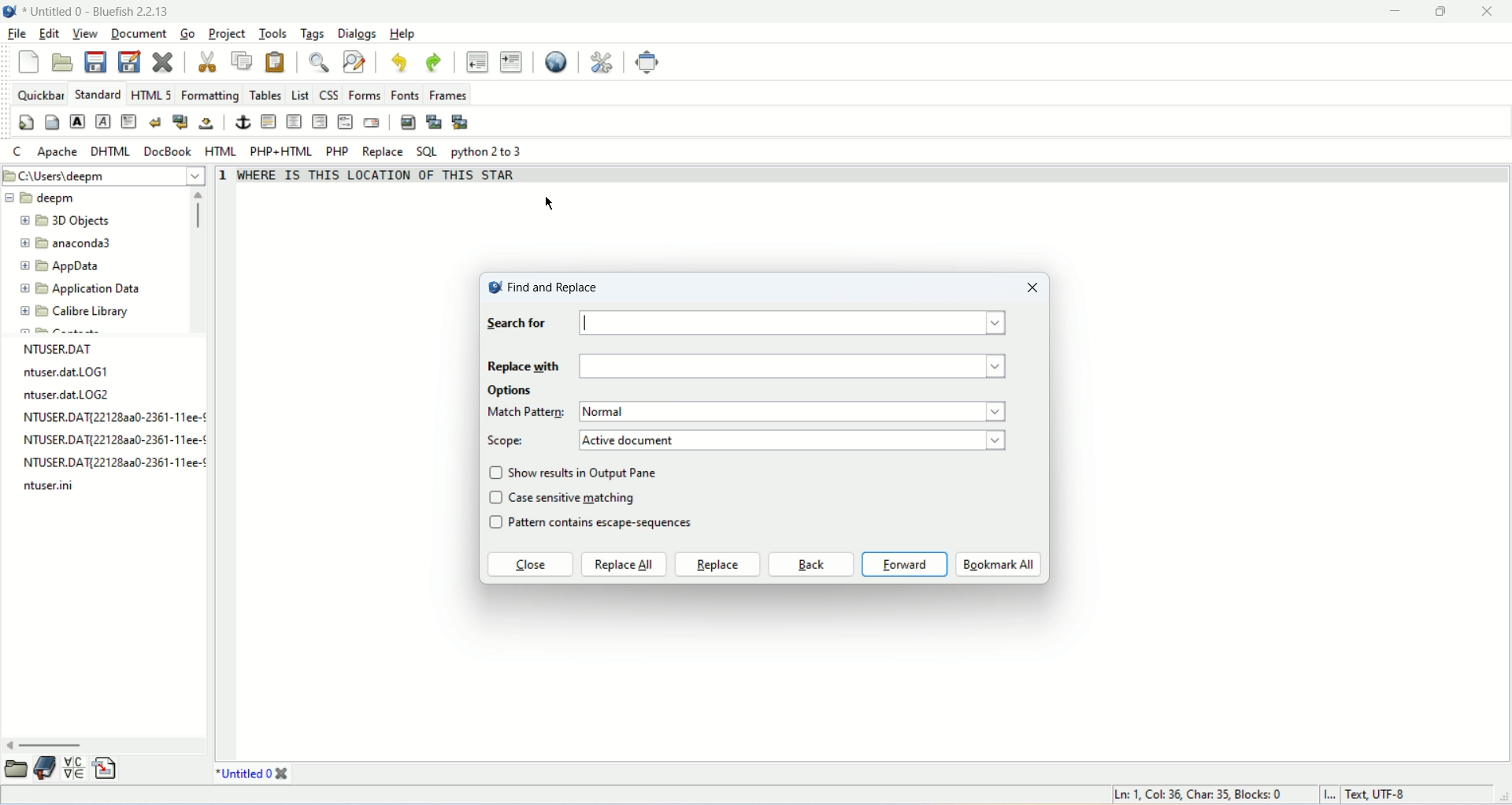 This screenshot has height=805, width=1512. I want to click on right justify, so click(319, 121).